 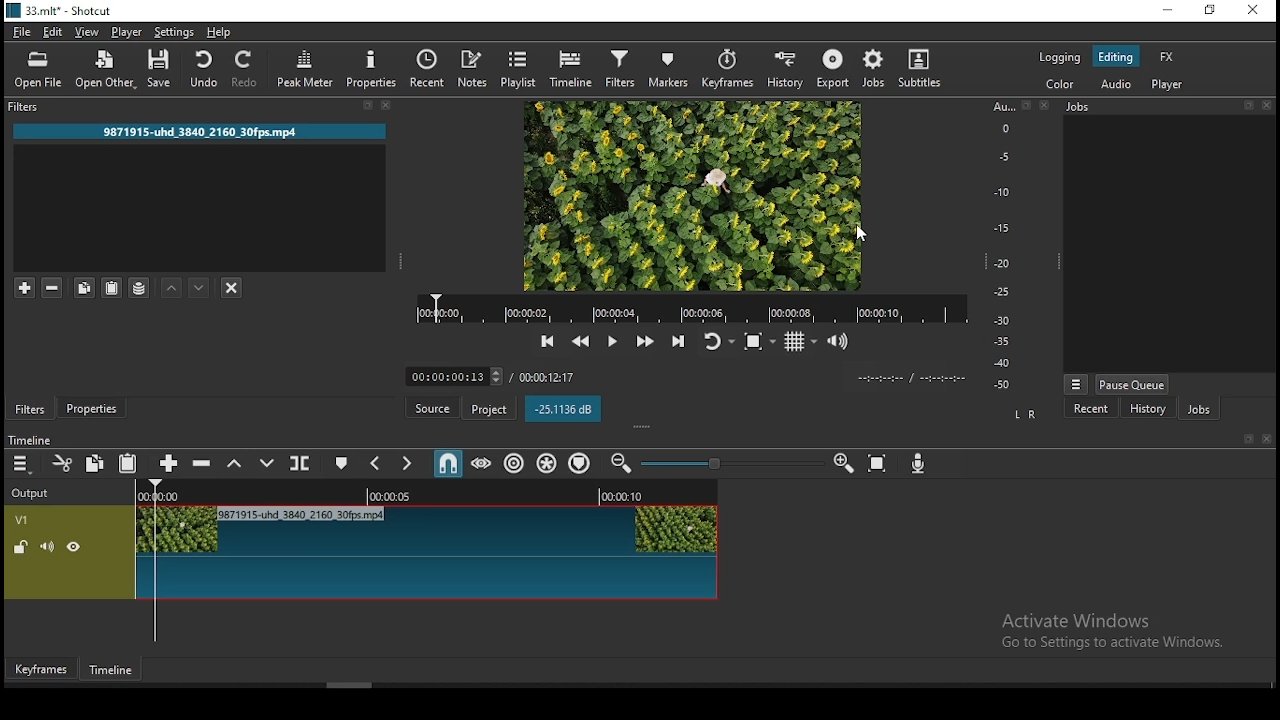 I want to click on bookmark, so click(x=1243, y=110).